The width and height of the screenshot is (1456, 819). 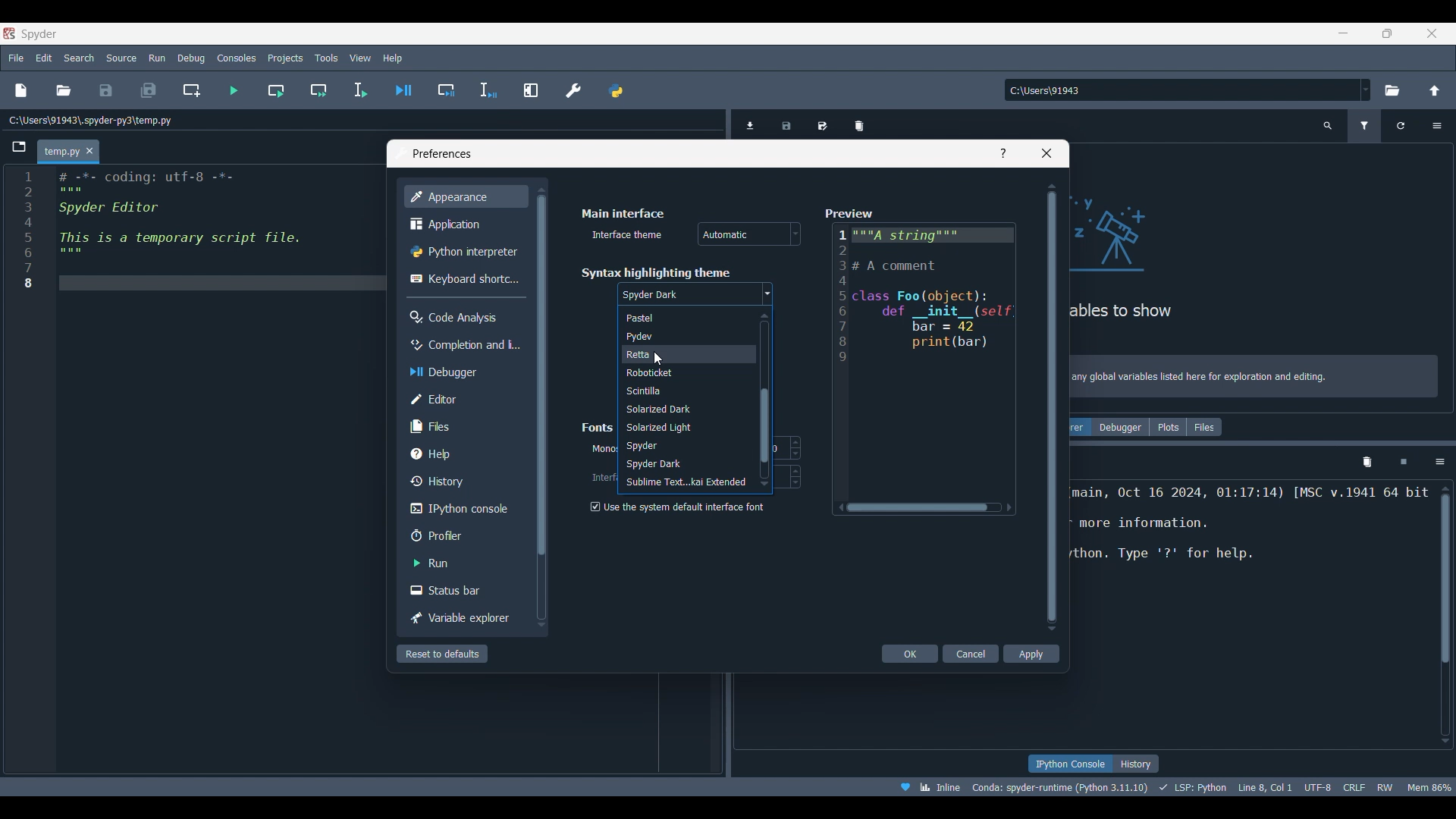 What do you see at coordinates (465, 589) in the screenshot?
I see `Status bar` at bounding box center [465, 589].